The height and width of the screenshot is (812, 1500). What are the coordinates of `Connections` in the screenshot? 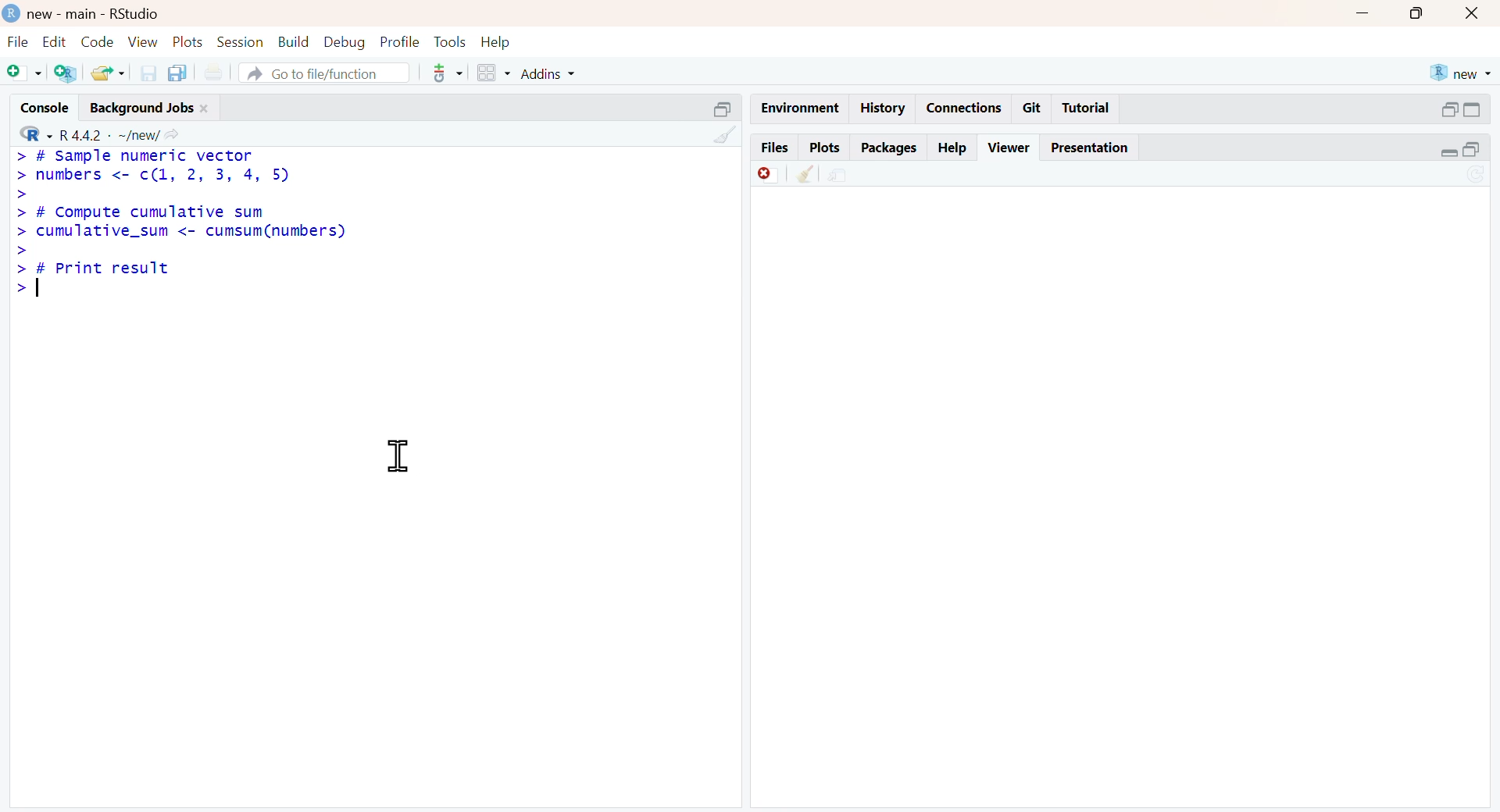 It's located at (967, 109).